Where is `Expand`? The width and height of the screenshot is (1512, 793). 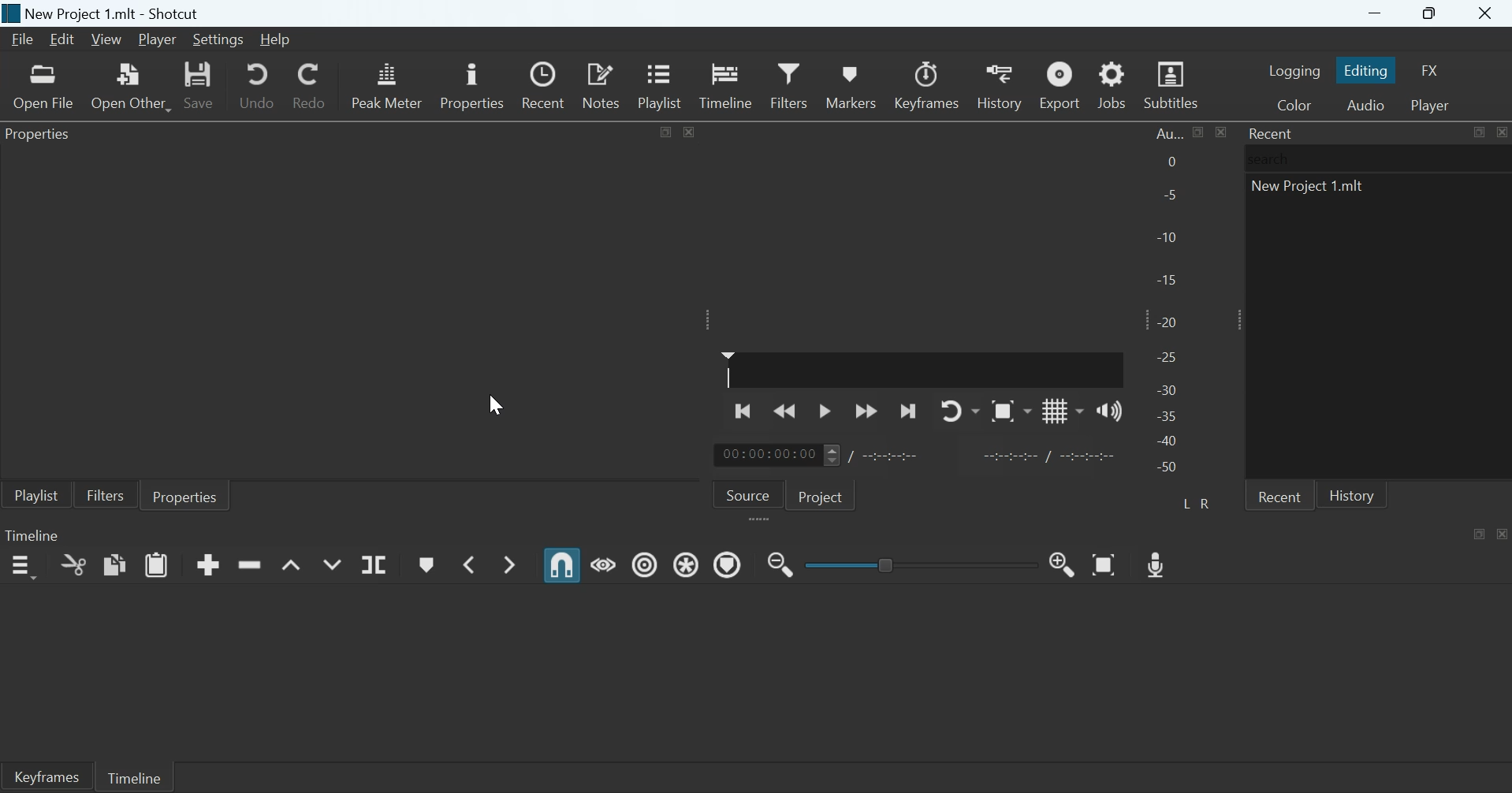
Expand is located at coordinates (1235, 319).